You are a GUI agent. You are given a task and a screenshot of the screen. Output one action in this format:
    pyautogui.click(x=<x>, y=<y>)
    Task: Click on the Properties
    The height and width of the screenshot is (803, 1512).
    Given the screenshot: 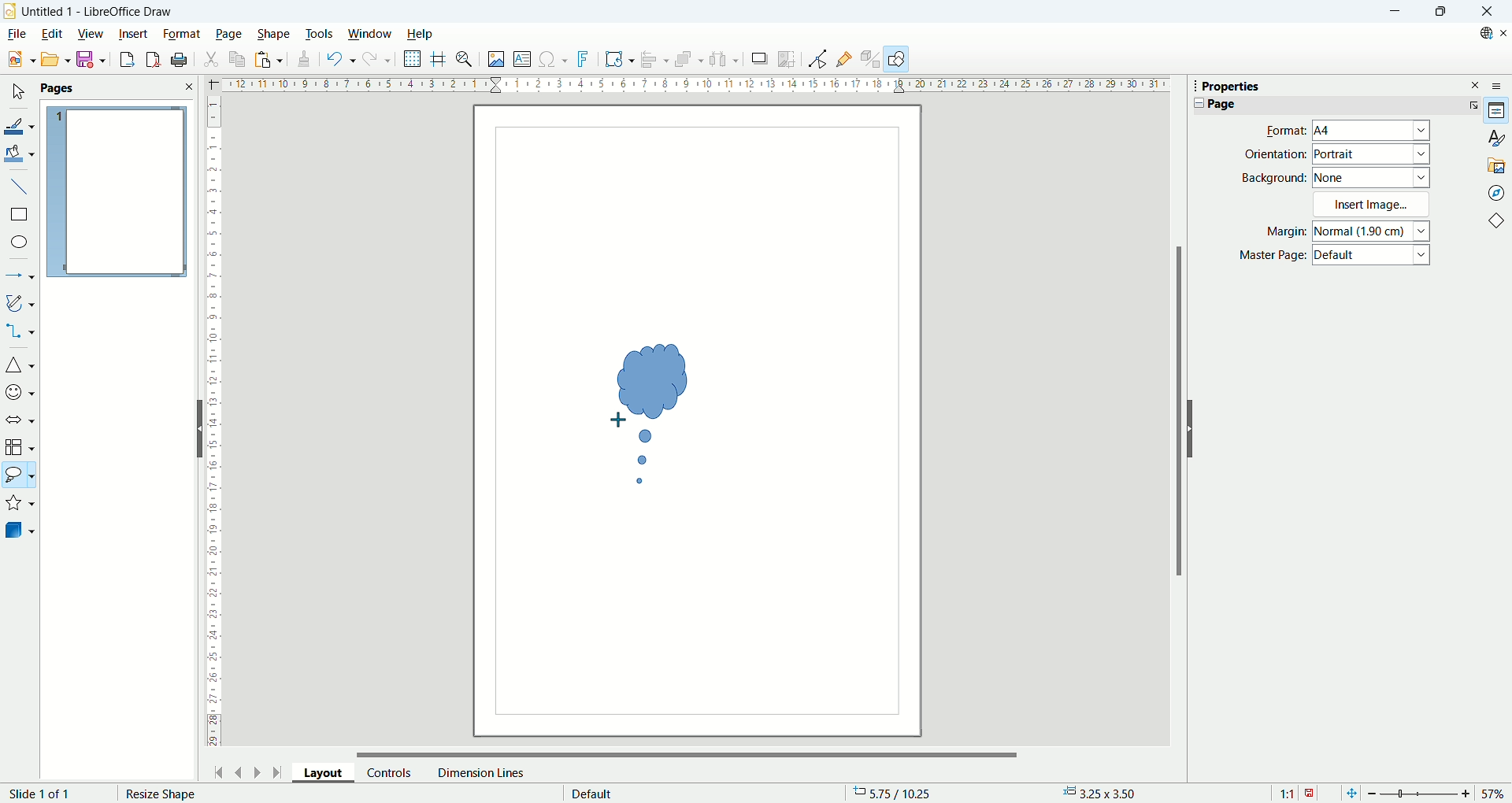 What is the action you would take?
    pyautogui.click(x=1231, y=87)
    